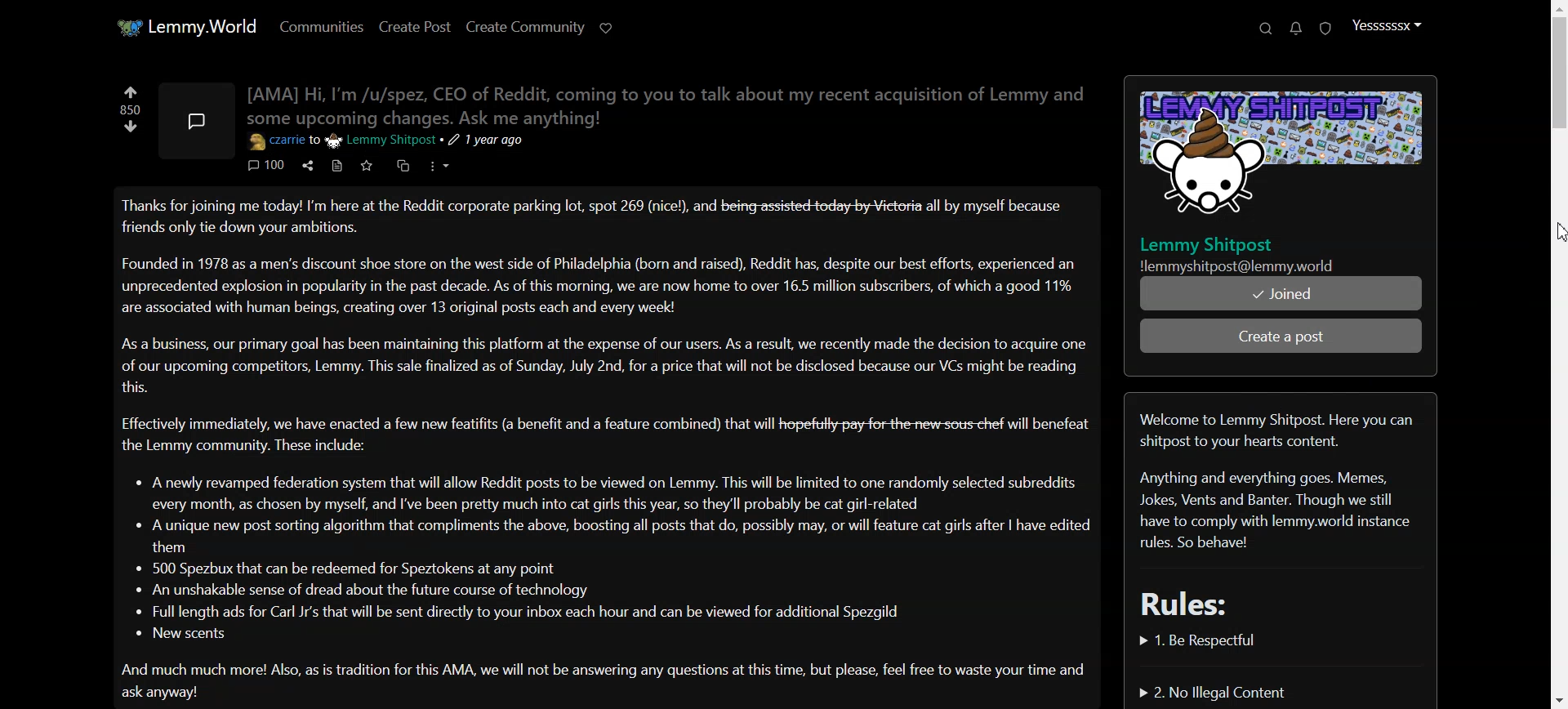 The image size is (1568, 709). Describe the element at coordinates (609, 444) in the screenshot. I see `Text` at that location.